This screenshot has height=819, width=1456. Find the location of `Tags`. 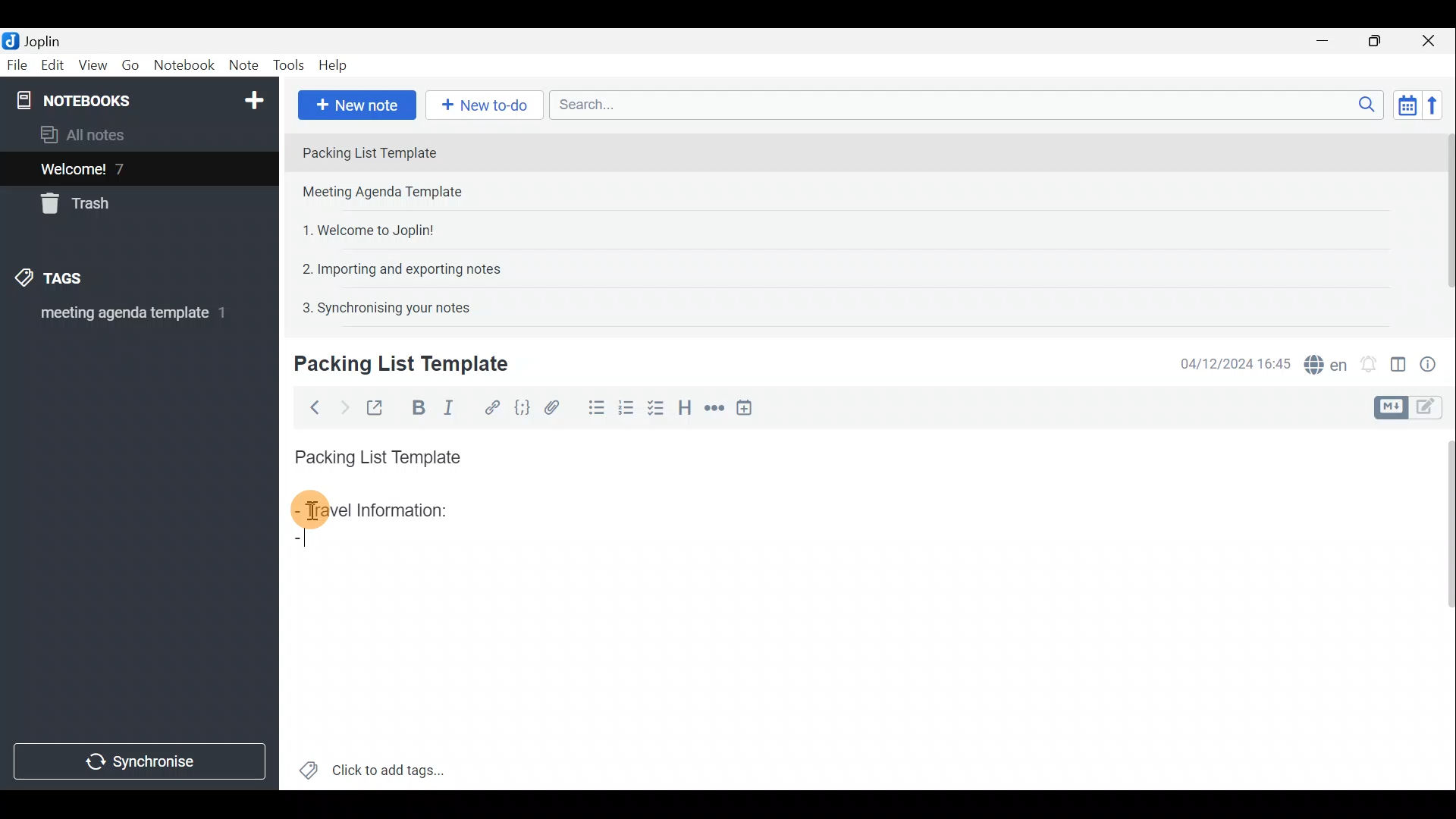

Tags is located at coordinates (74, 281).